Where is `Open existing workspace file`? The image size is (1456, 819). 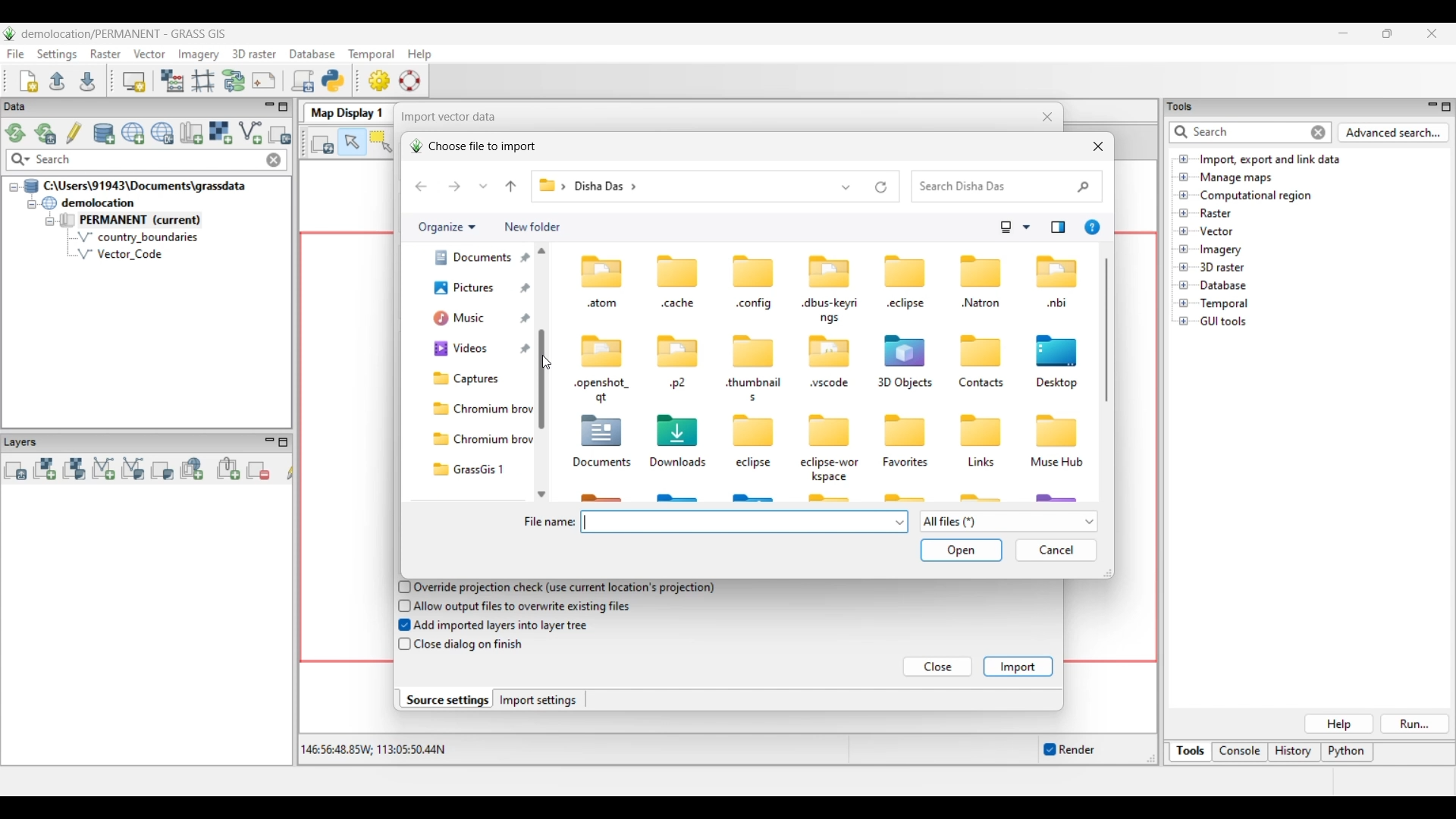
Open existing workspace file is located at coordinates (57, 80).